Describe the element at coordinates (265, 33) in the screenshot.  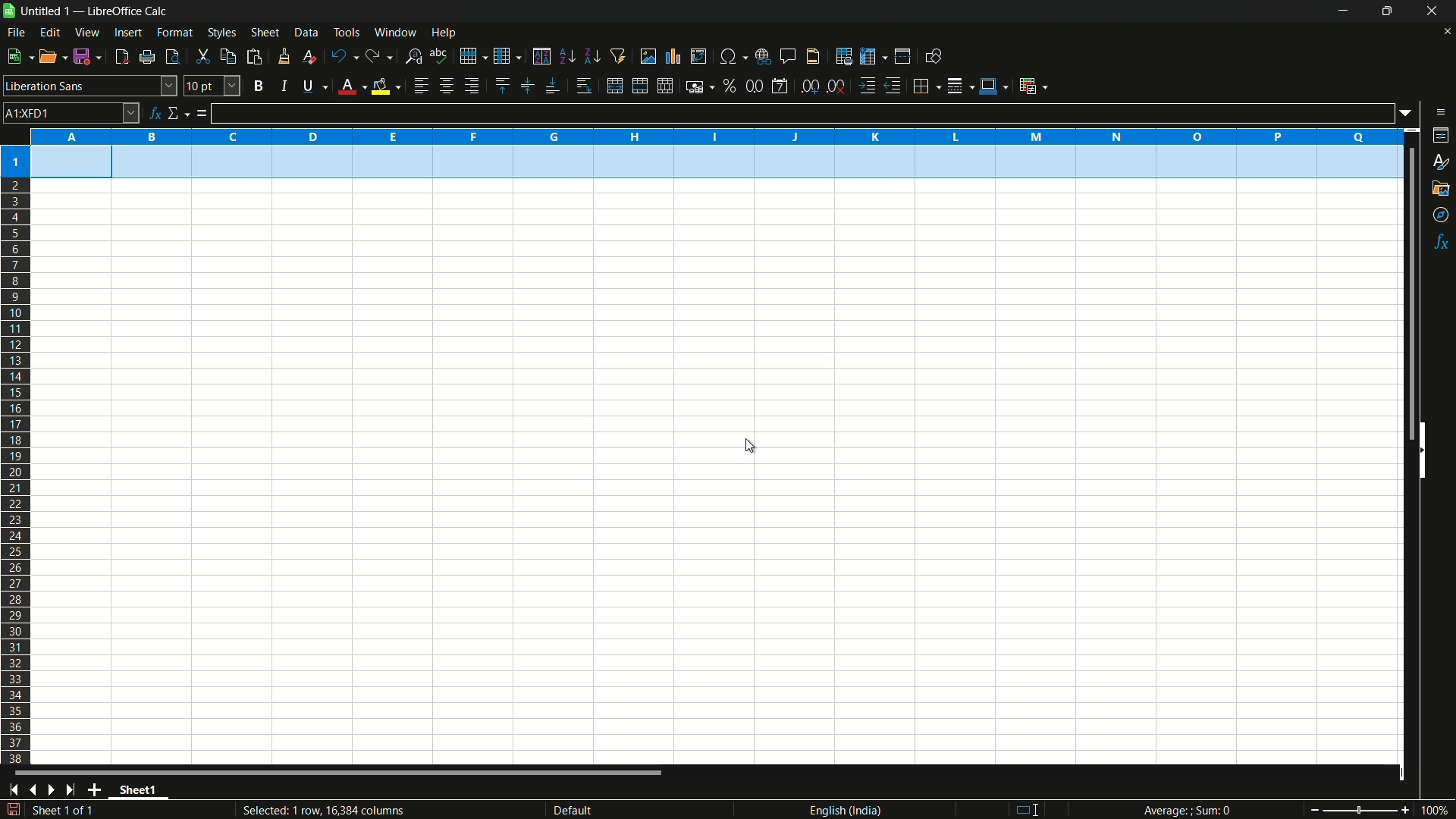
I see `sheet menu` at that location.